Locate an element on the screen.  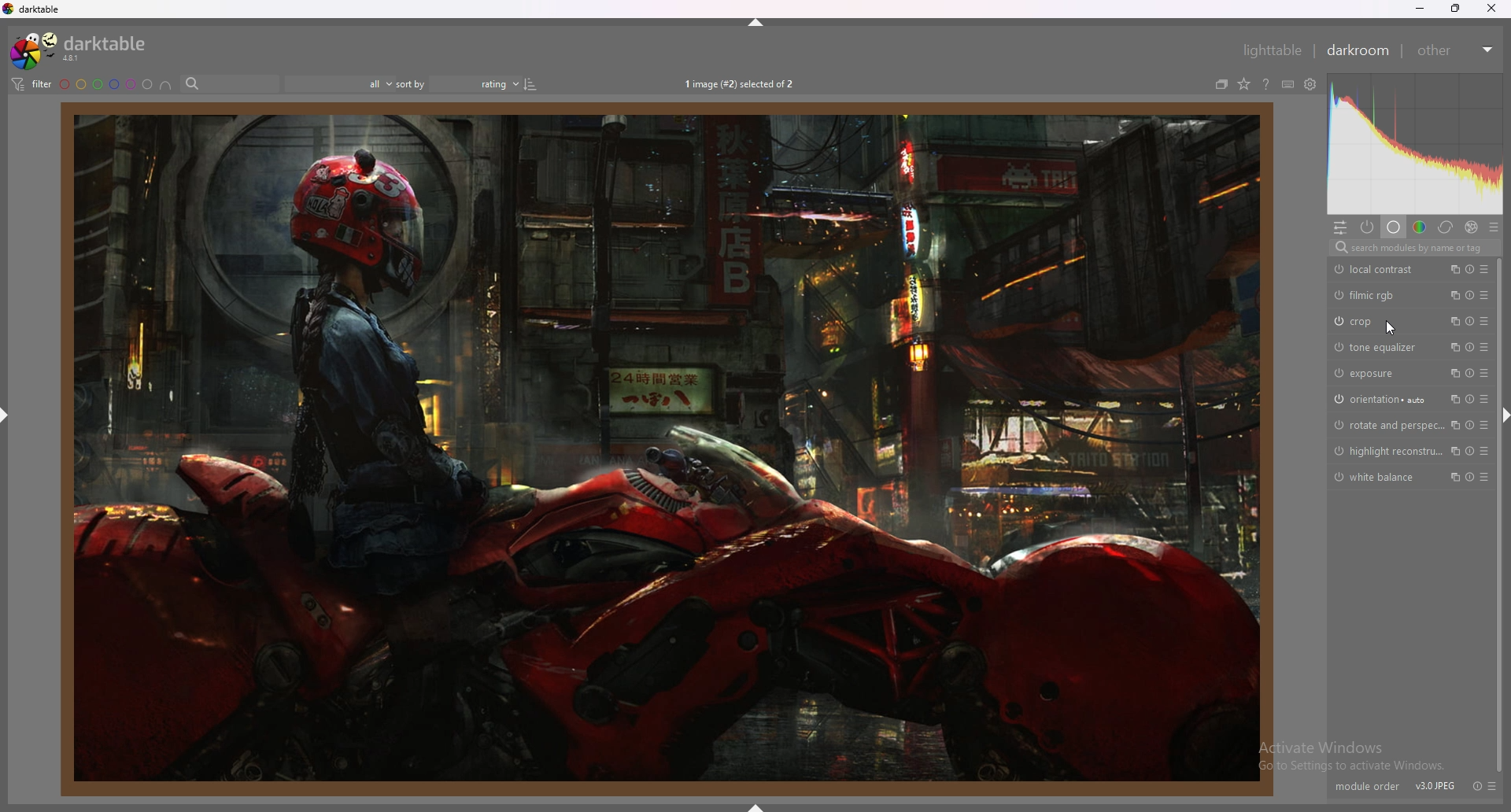
module order is located at coordinates (1363, 784).